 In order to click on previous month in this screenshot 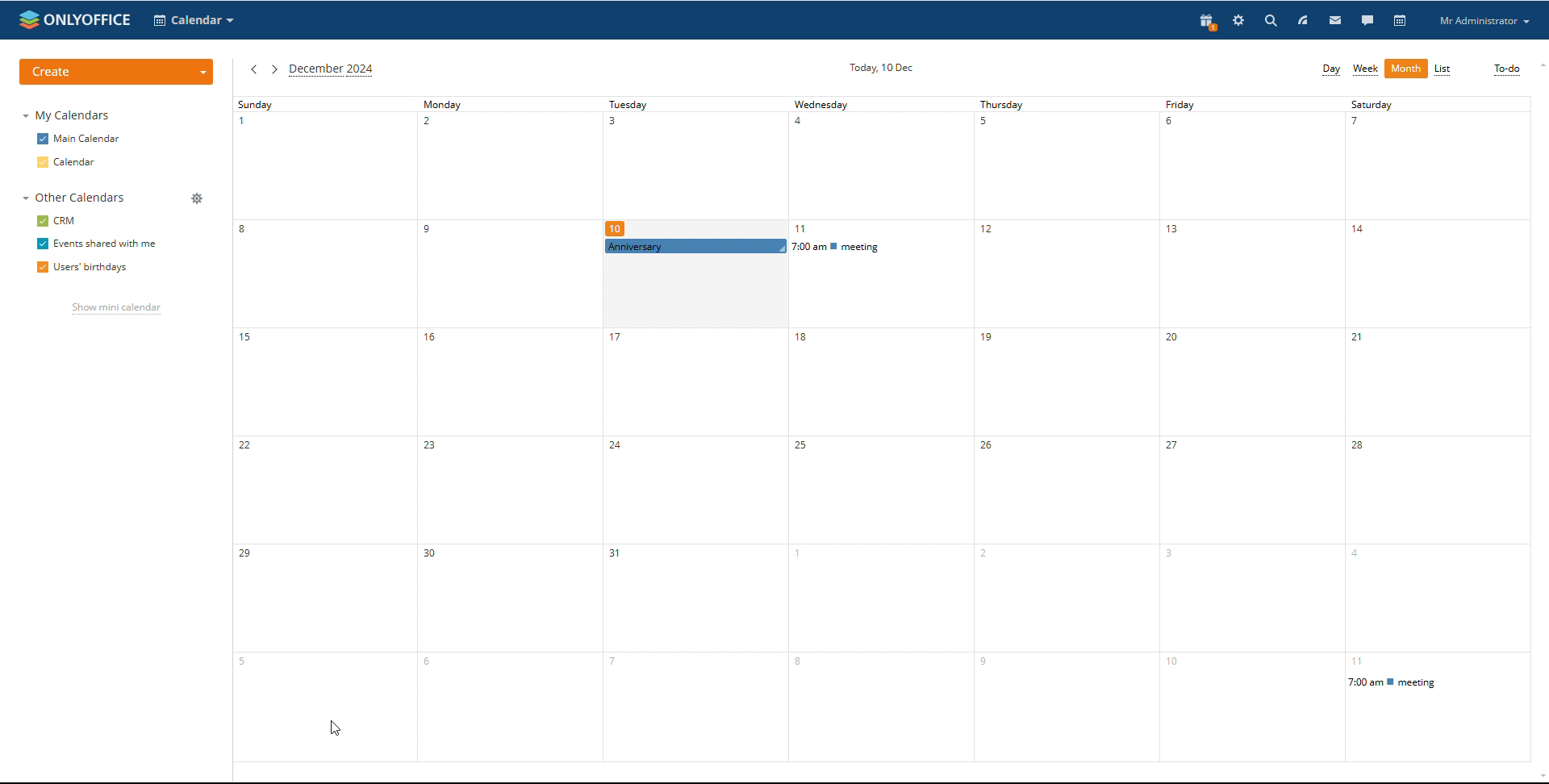, I will do `click(253, 69)`.